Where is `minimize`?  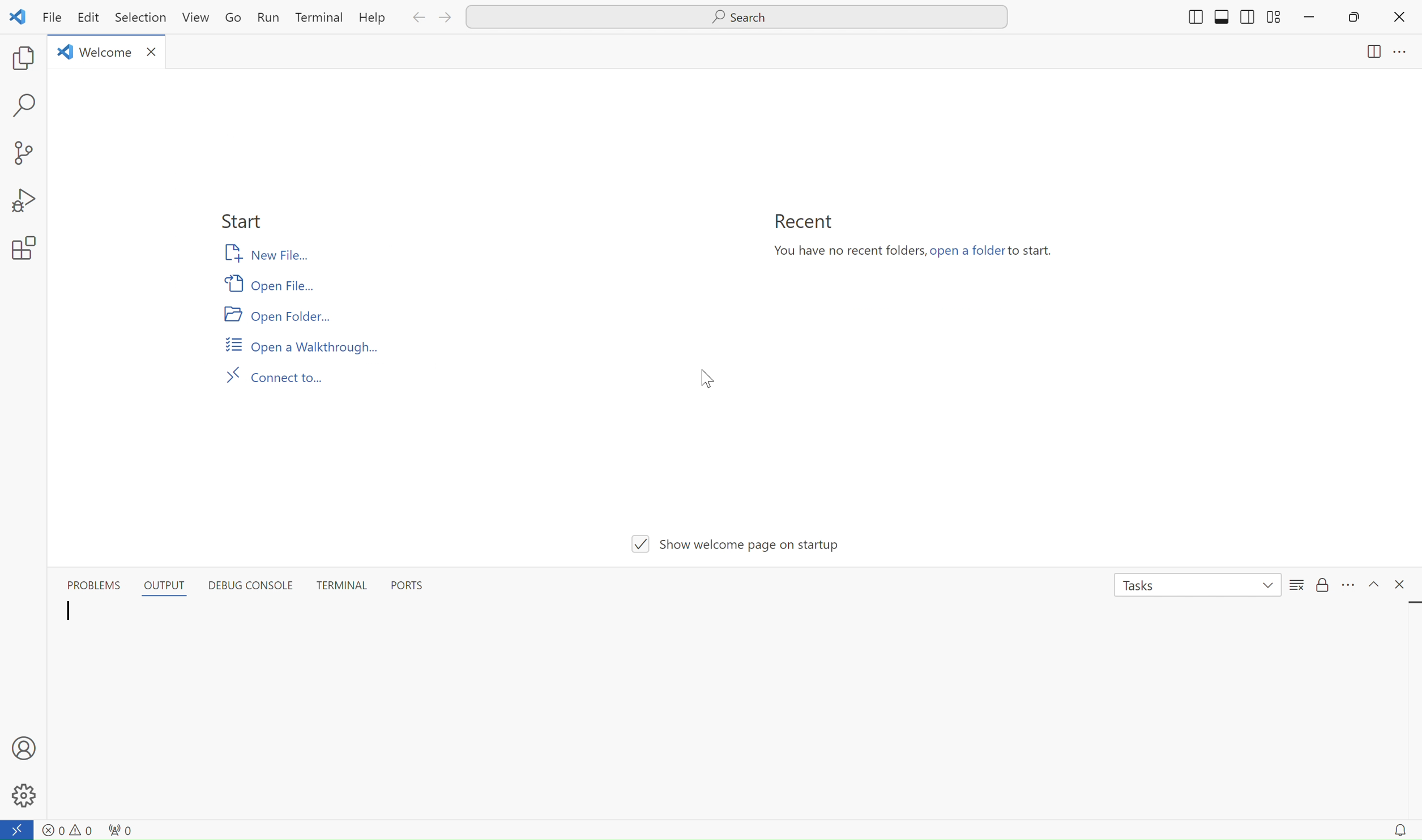 minimize is located at coordinates (1307, 19).